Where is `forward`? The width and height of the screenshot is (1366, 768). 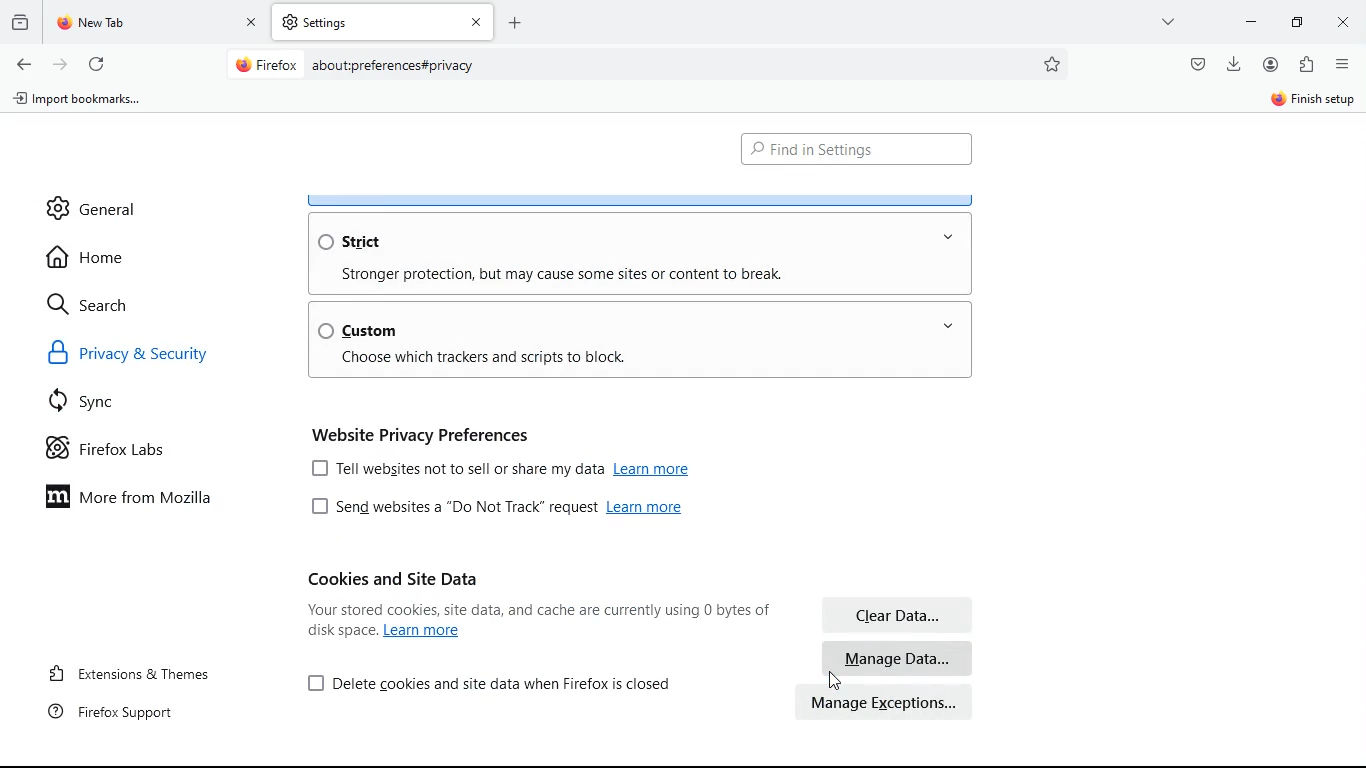 forward is located at coordinates (60, 63).